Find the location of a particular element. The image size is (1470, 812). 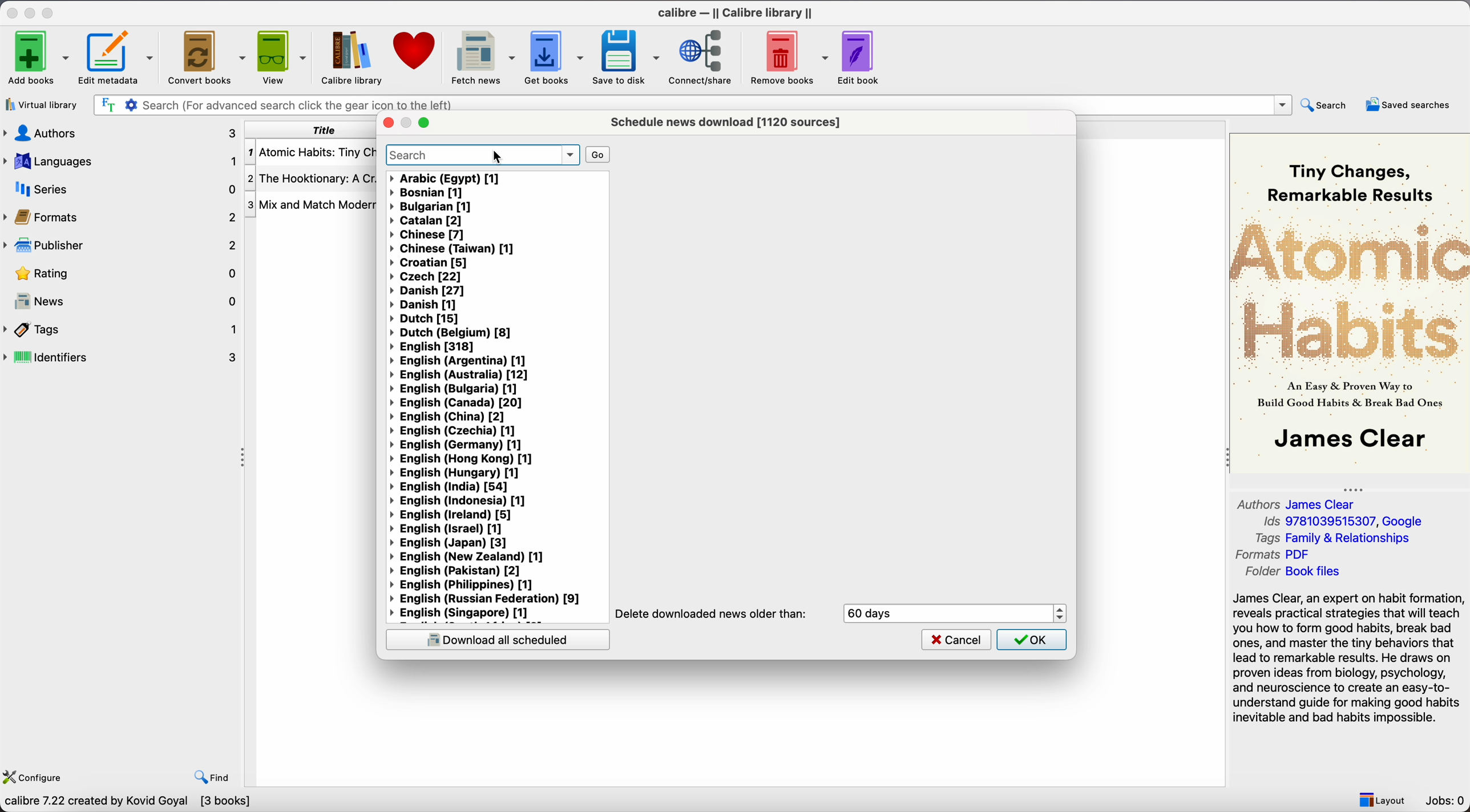

English (Pakistan) [2] is located at coordinates (458, 571).